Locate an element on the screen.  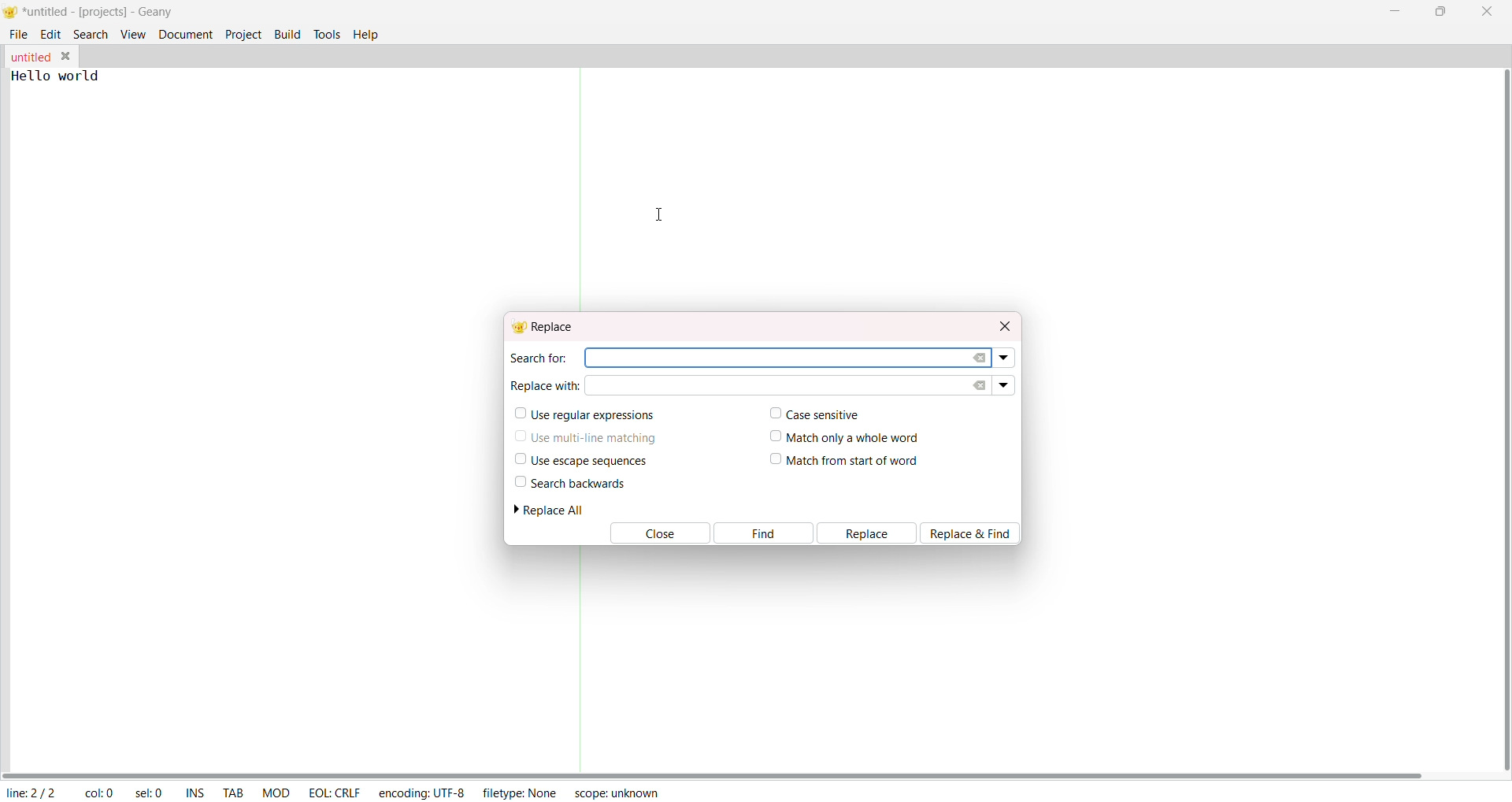
edit is located at coordinates (51, 33).